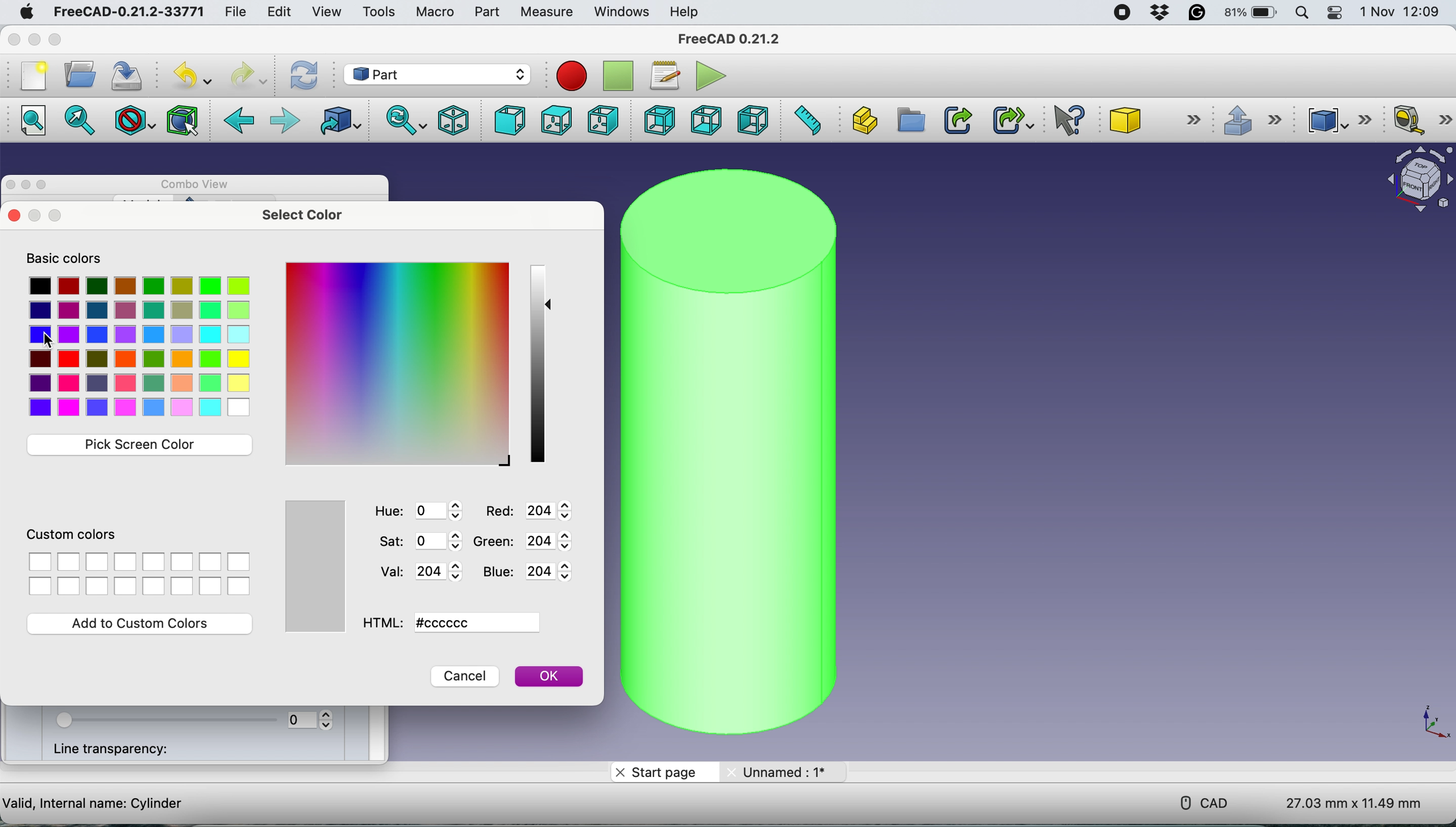  What do you see at coordinates (38, 45) in the screenshot?
I see `minimise` at bounding box center [38, 45].